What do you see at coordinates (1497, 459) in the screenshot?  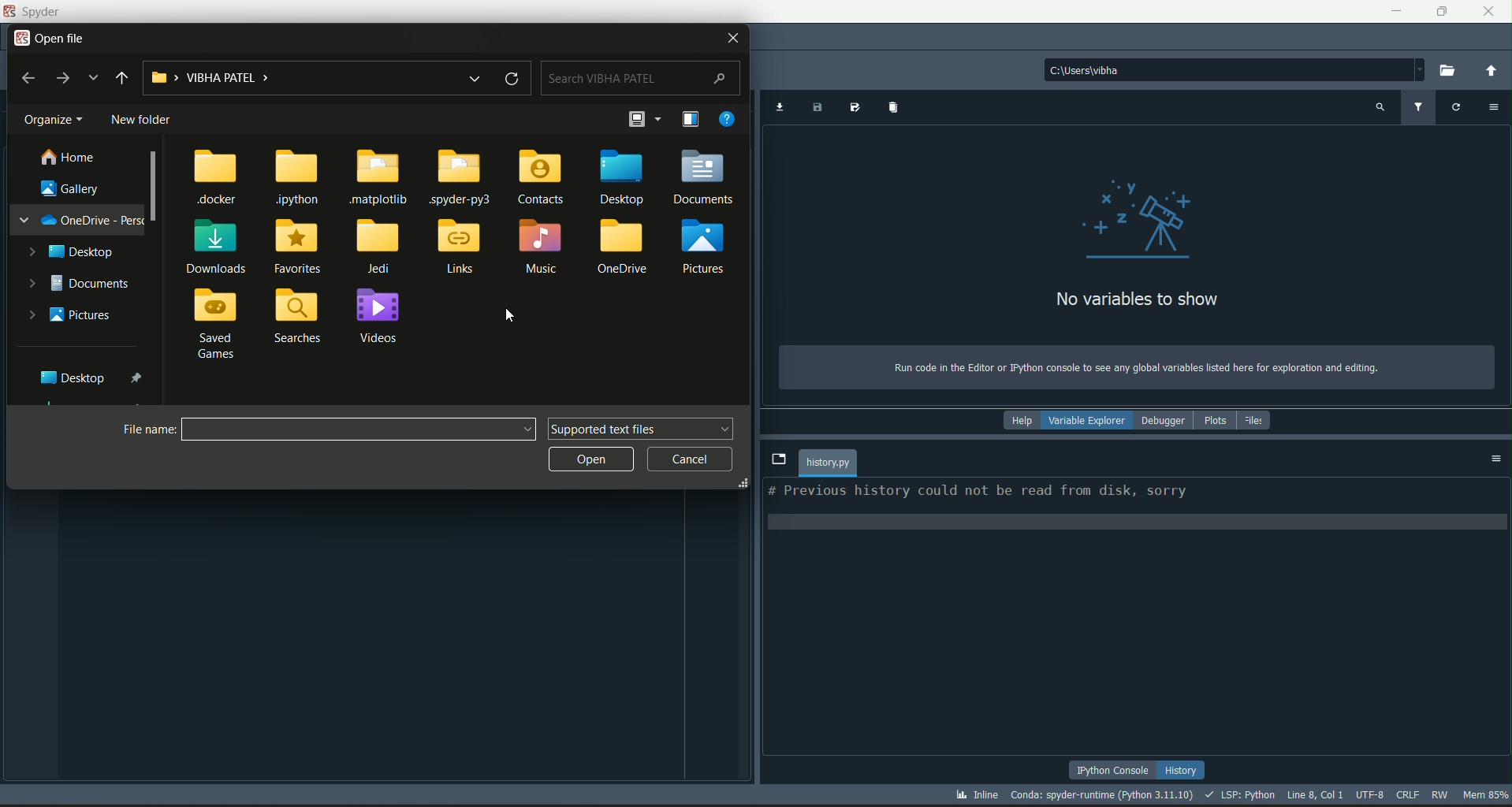 I see `options` at bounding box center [1497, 459].